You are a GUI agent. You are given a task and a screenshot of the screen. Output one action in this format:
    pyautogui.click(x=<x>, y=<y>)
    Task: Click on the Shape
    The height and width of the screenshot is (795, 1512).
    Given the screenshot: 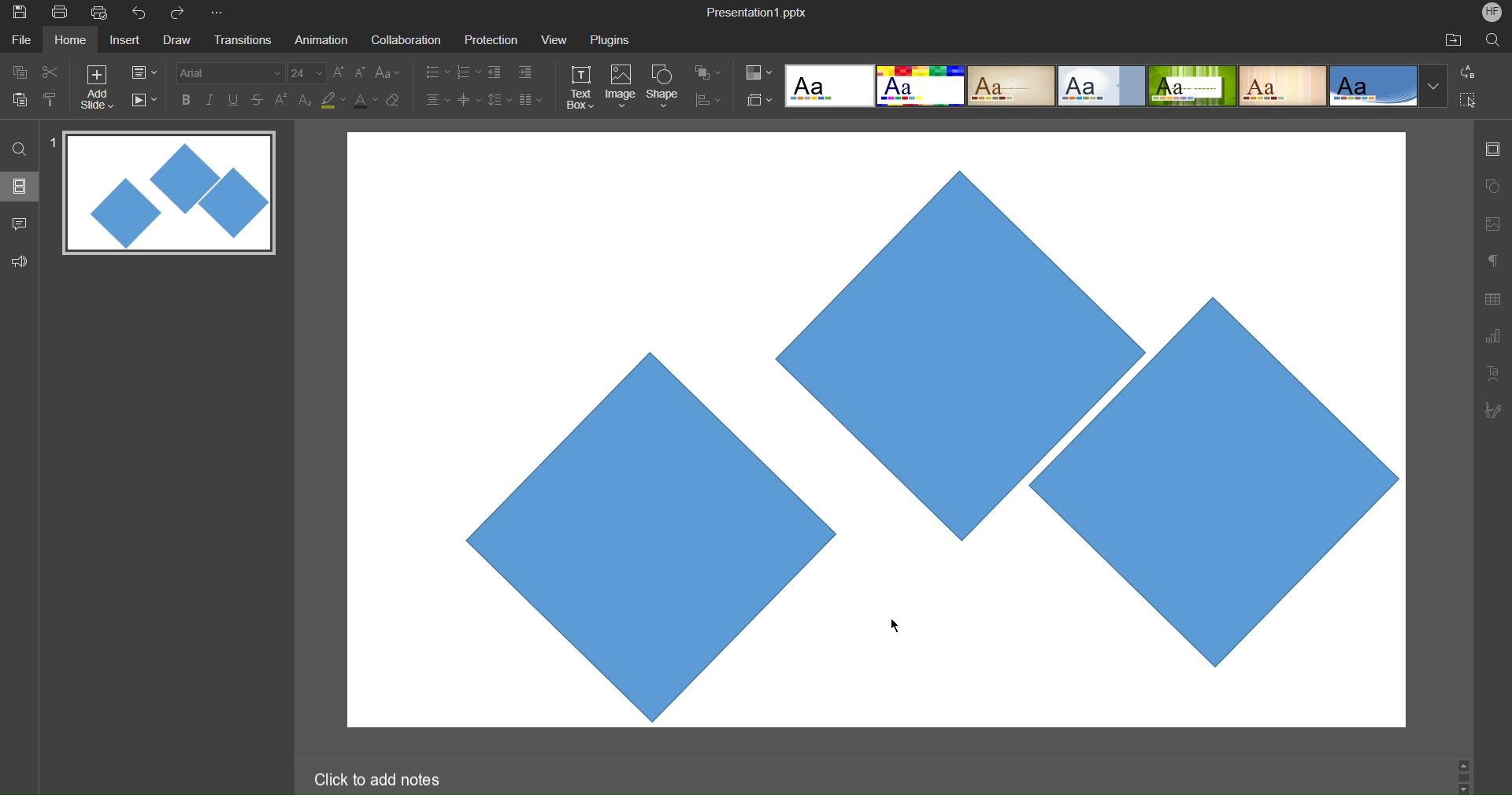 What is the action you would take?
    pyautogui.click(x=664, y=88)
    